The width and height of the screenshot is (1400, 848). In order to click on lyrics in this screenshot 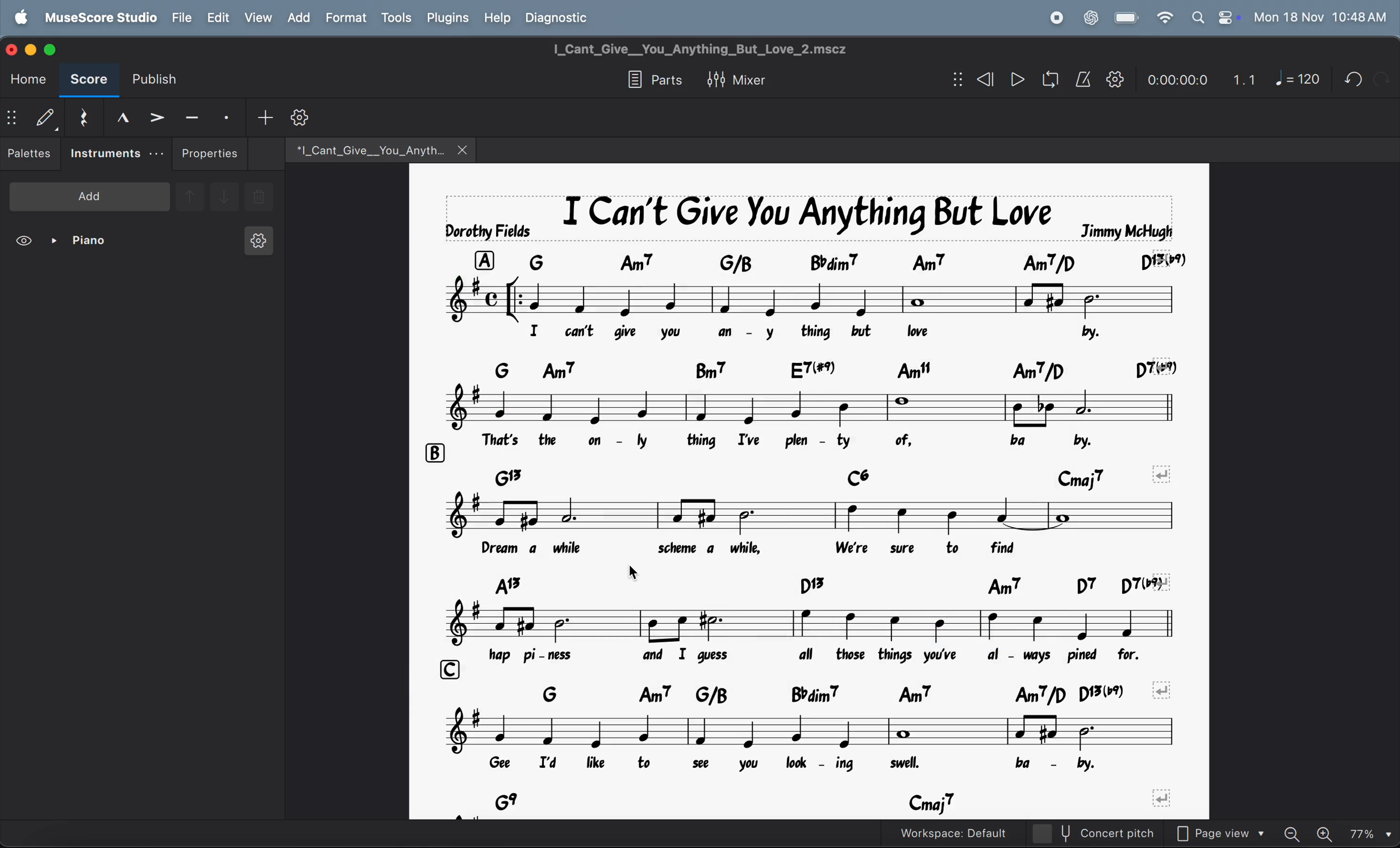, I will do `click(813, 329)`.